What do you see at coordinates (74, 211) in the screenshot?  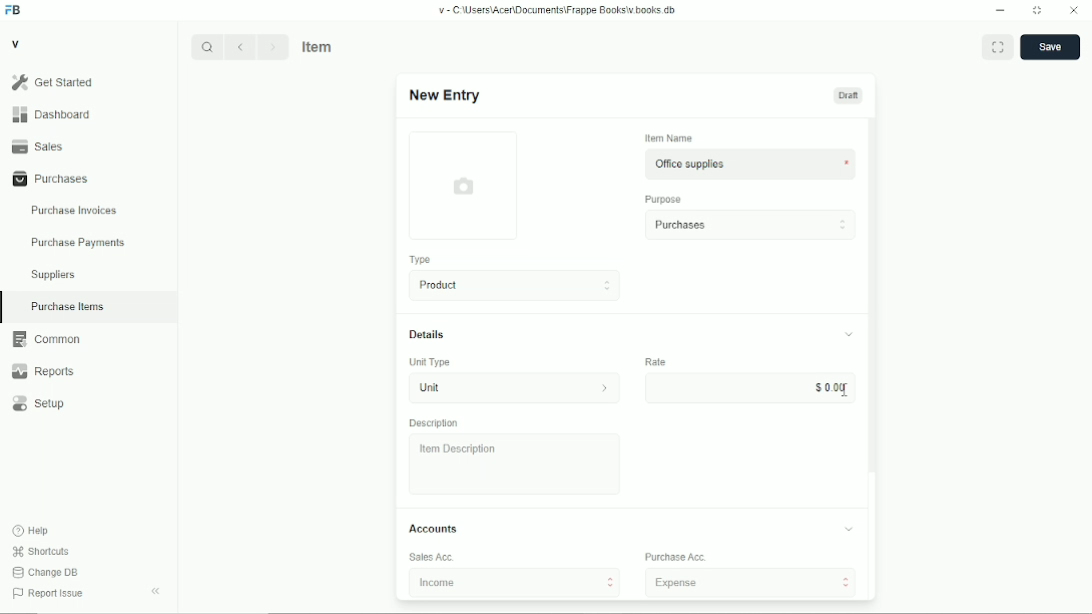 I see `purchase invoices` at bounding box center [74, 211].